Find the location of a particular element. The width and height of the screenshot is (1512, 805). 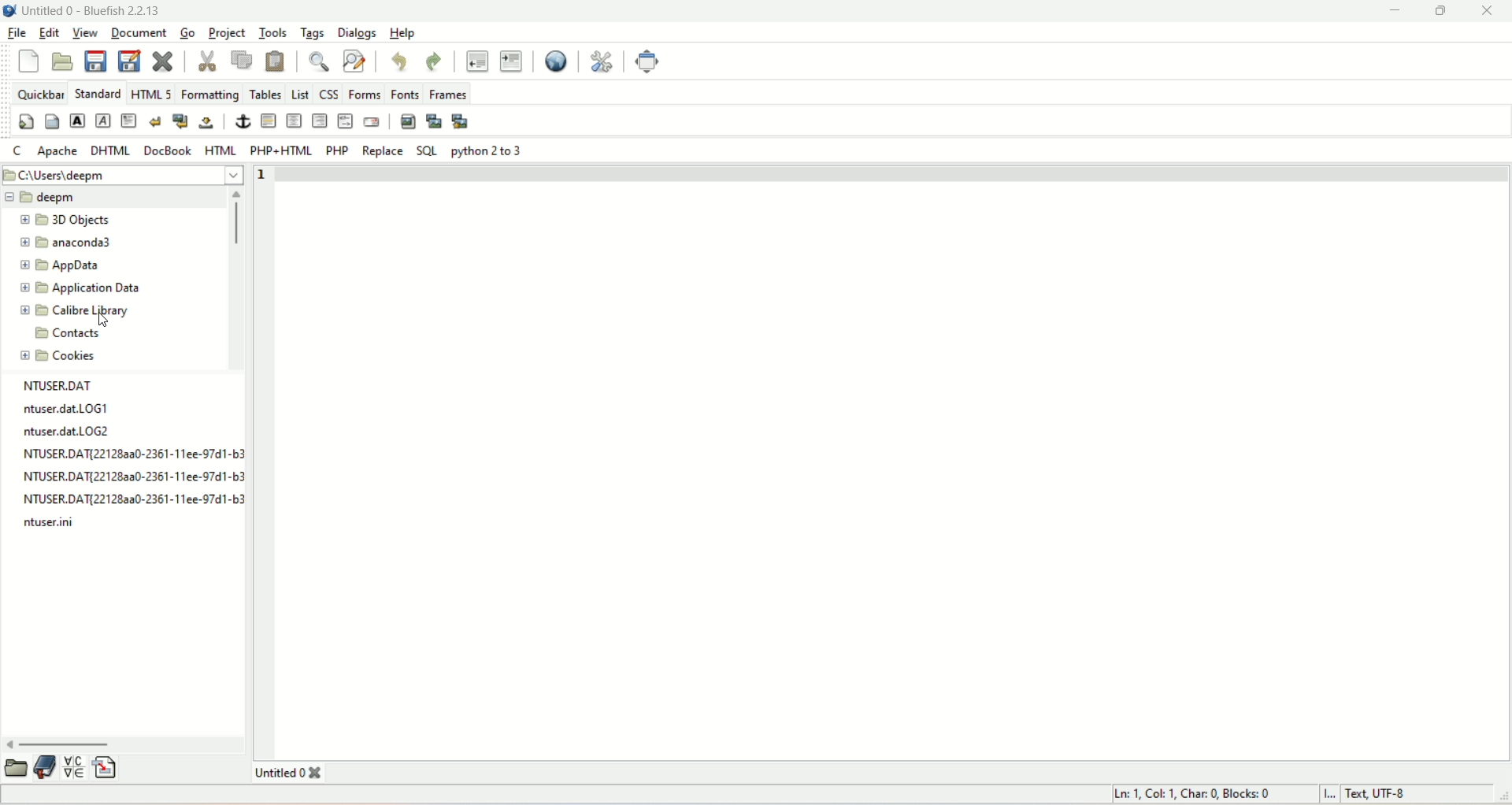

help is located at coordinates (401, 35).